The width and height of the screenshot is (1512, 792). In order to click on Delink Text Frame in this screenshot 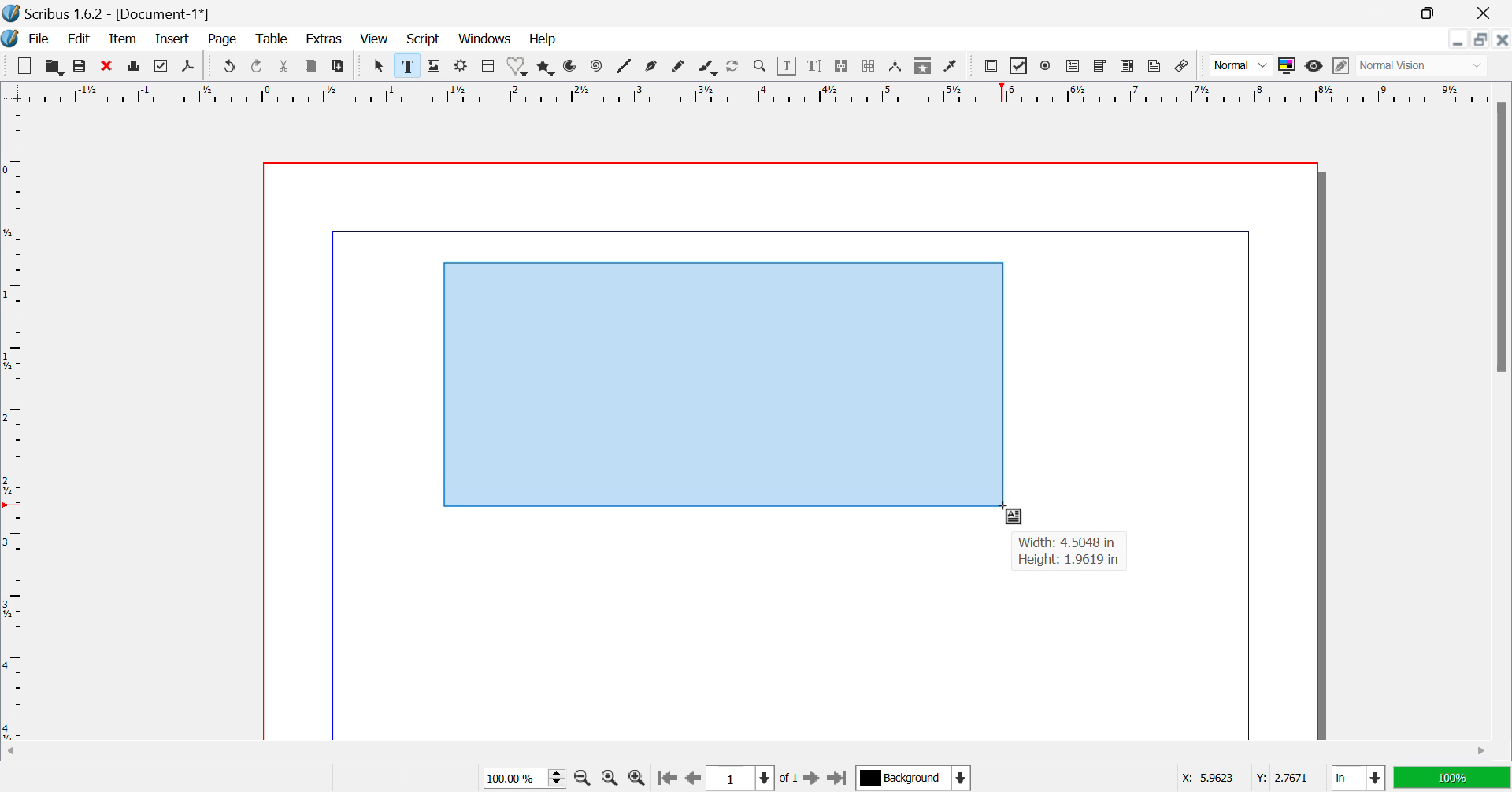, I will do `click(869, 68)`.